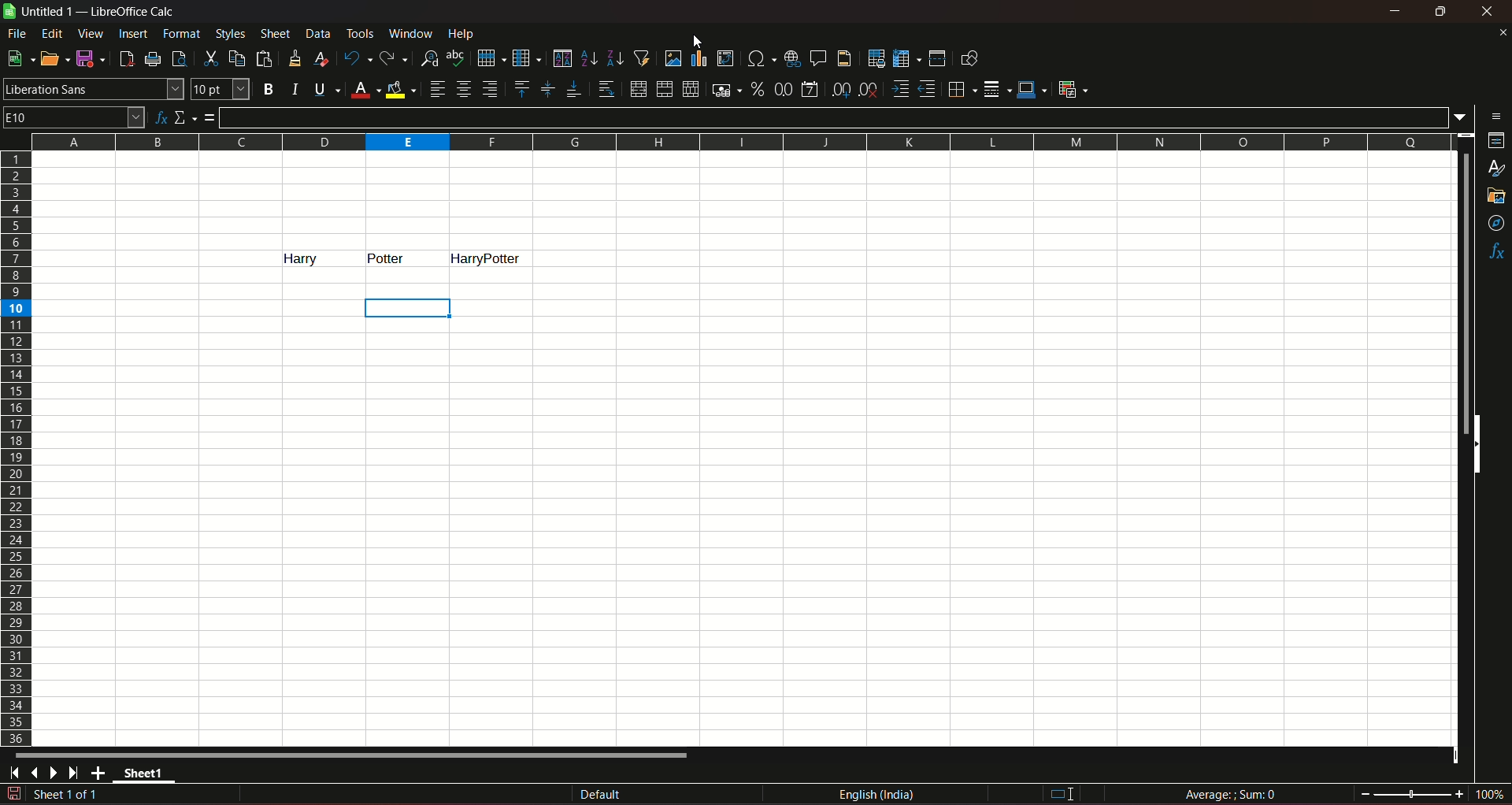 The height and width of the screenshot is (805, 1512). I want to click on edit, so click(53, 33).